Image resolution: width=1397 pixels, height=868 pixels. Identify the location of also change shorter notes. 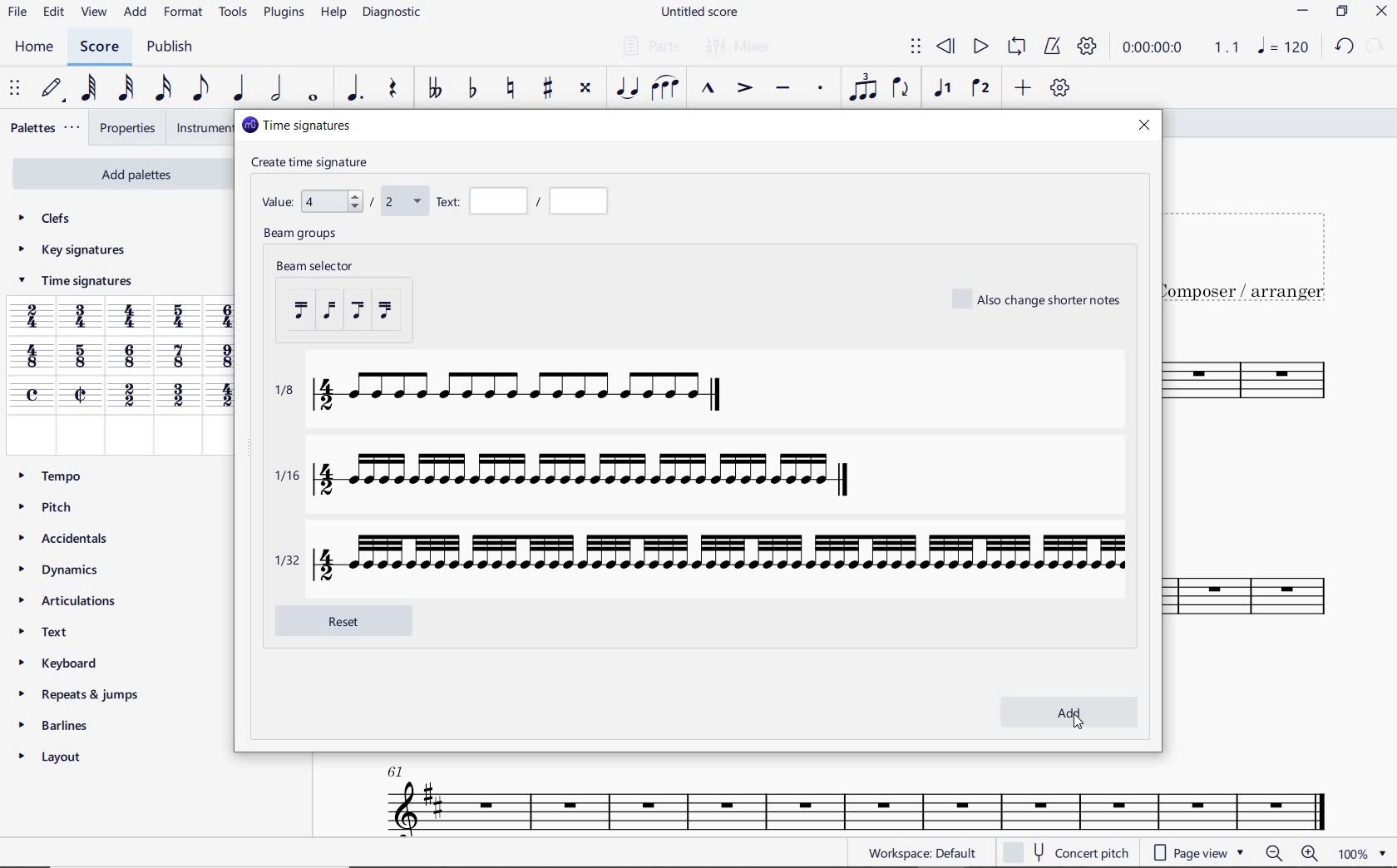
(1039, 298).